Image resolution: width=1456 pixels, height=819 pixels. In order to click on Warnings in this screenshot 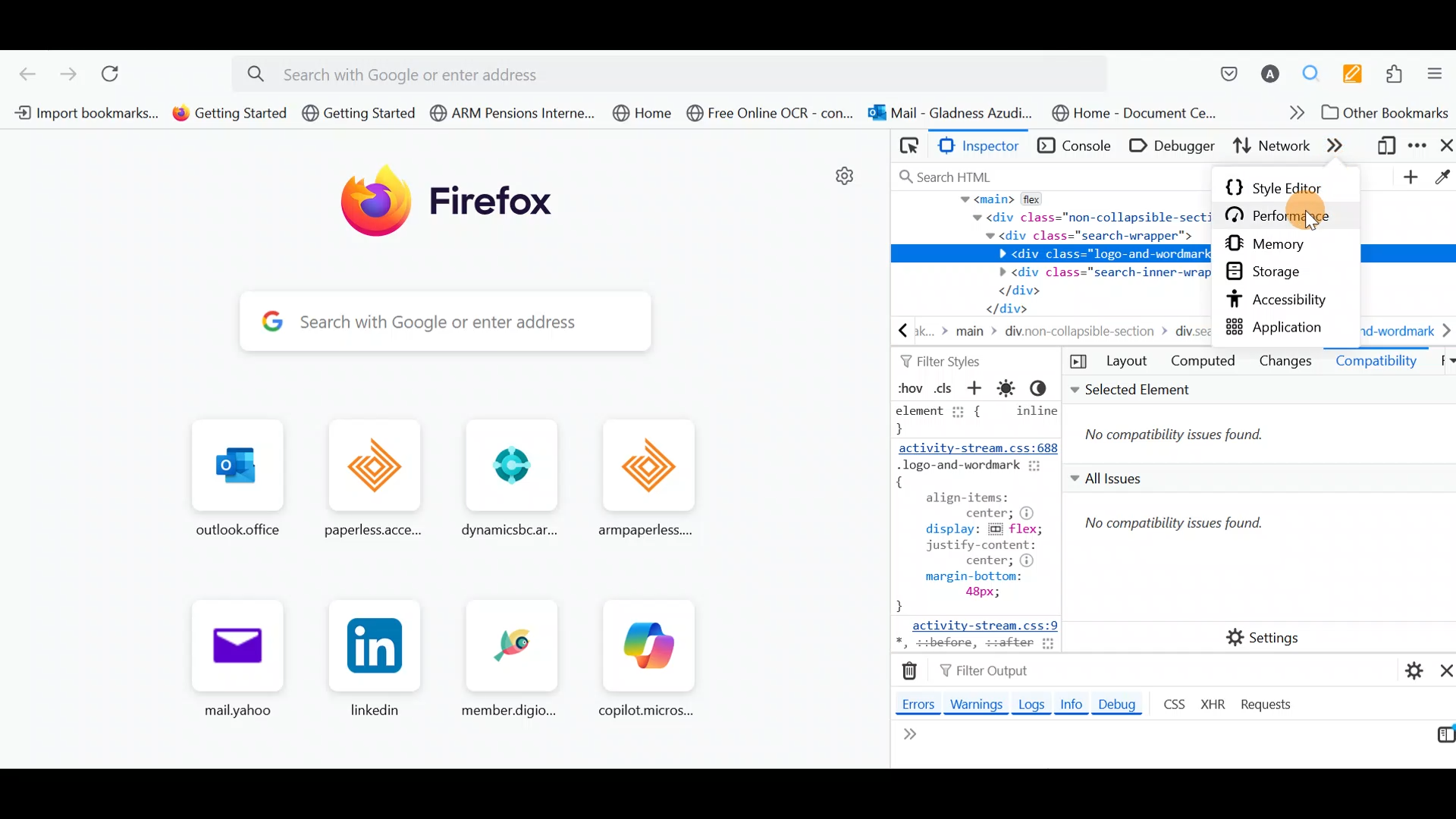, I will do `click(979, 706)`.